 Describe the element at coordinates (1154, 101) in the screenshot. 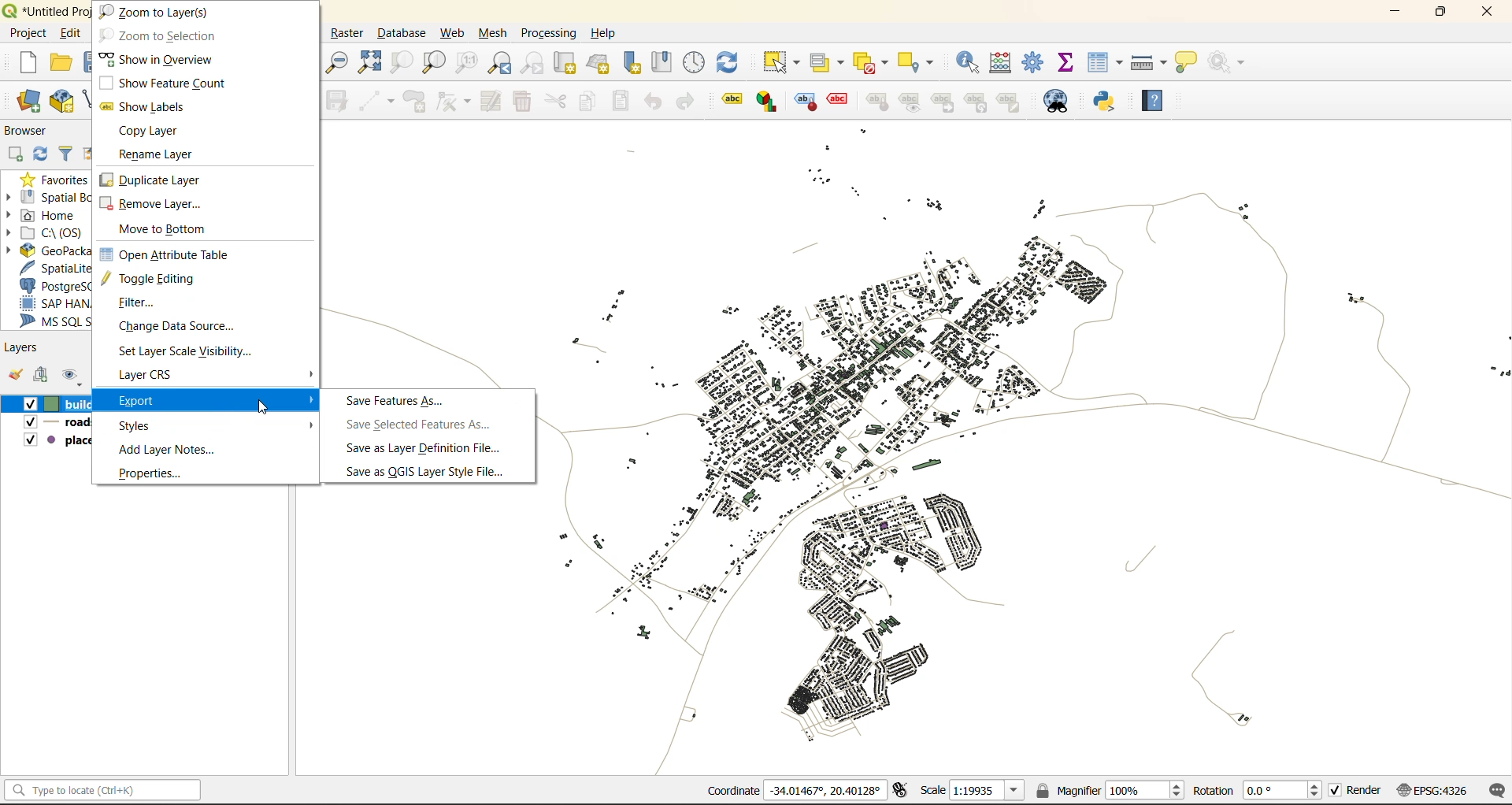

I see `help` at that location.